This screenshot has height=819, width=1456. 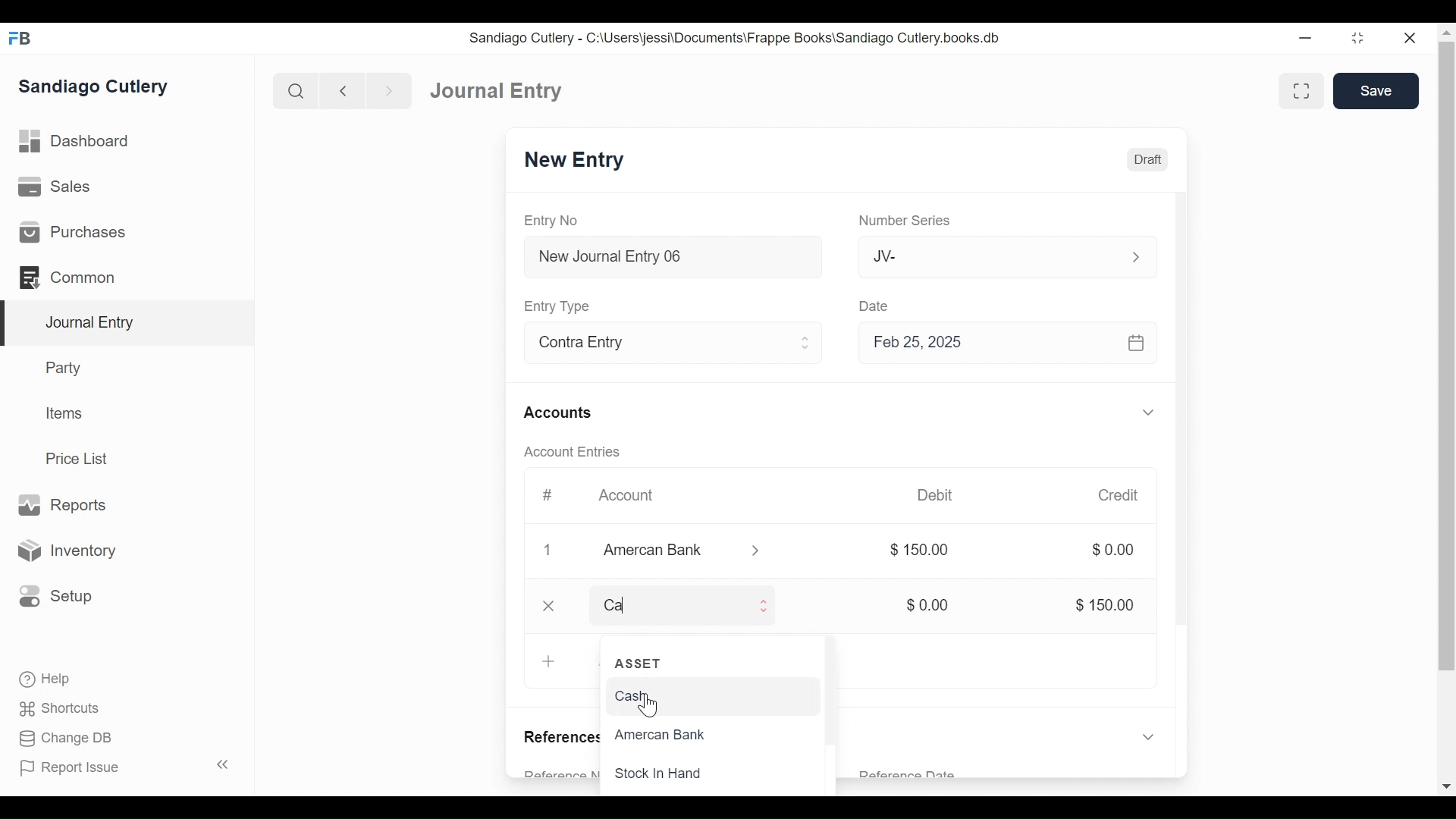 What do you see at coordinates (1374, 90) in the screenshot?
I see `Save` at bounding box center [1374, 90].